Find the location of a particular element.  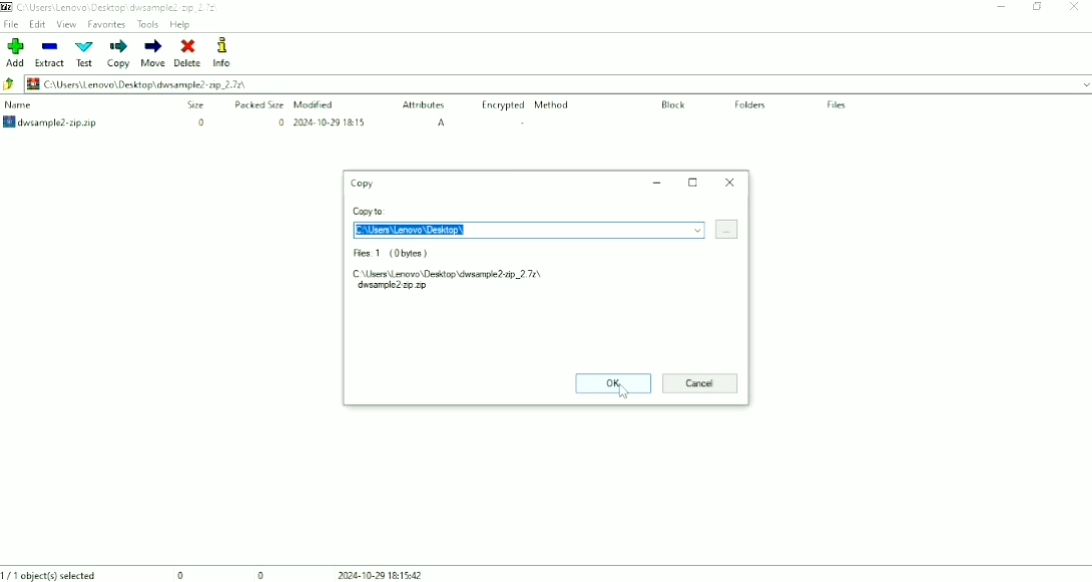

Help is located at coordinates (181, 24).